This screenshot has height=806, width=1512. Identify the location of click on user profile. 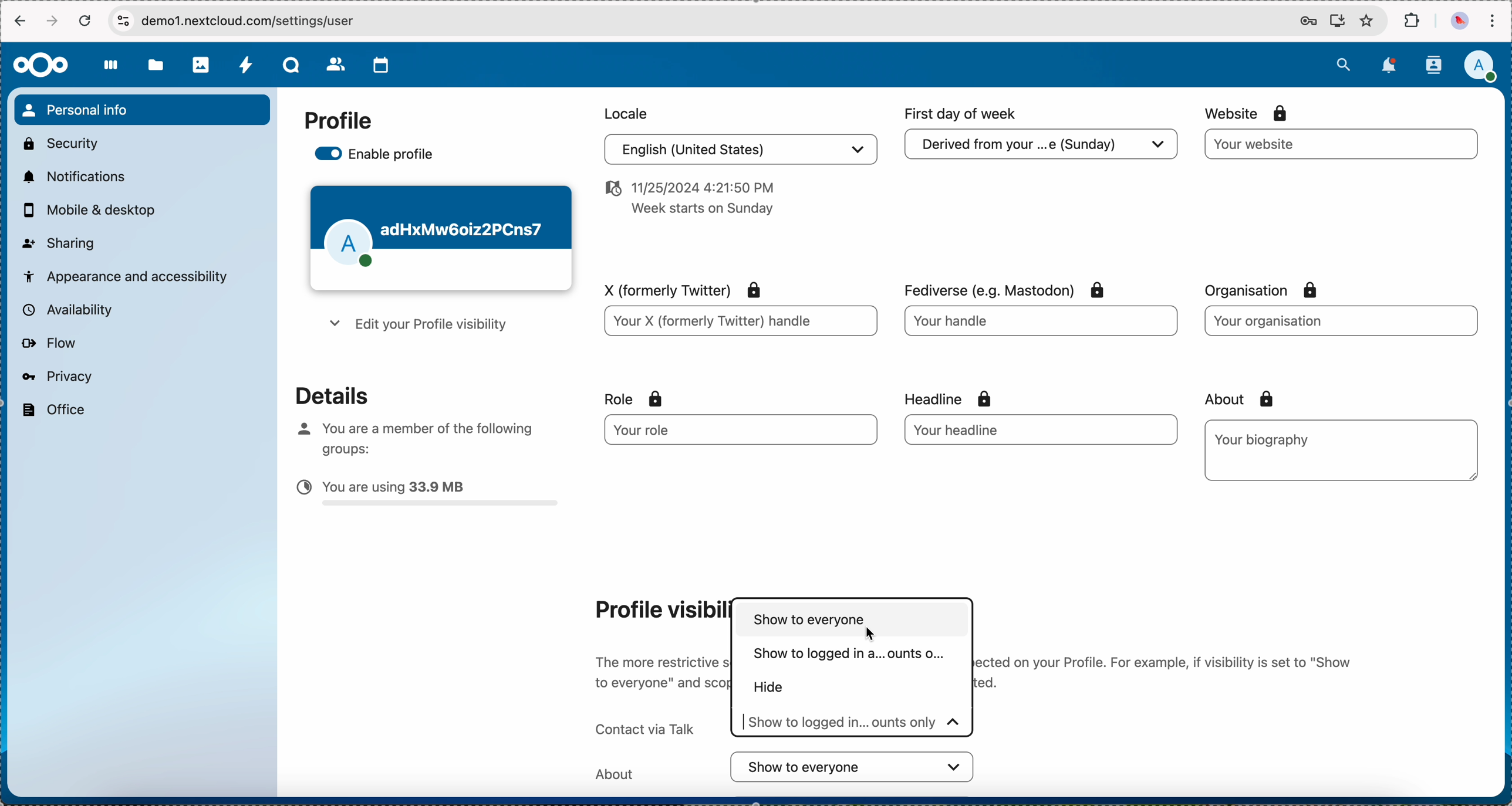
(1484, 67).